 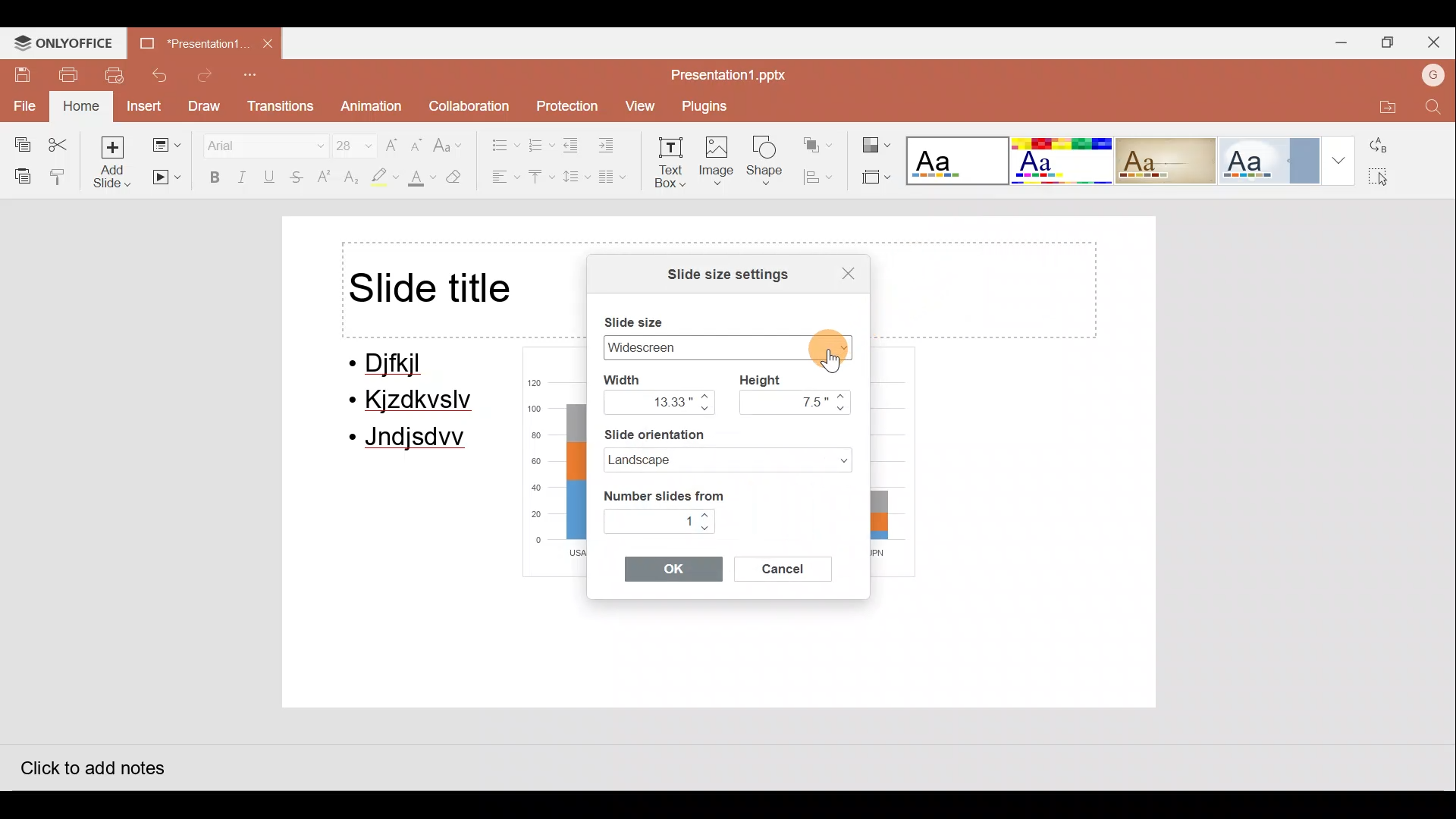 I want to click on Undo, so click(x=162, y=75).